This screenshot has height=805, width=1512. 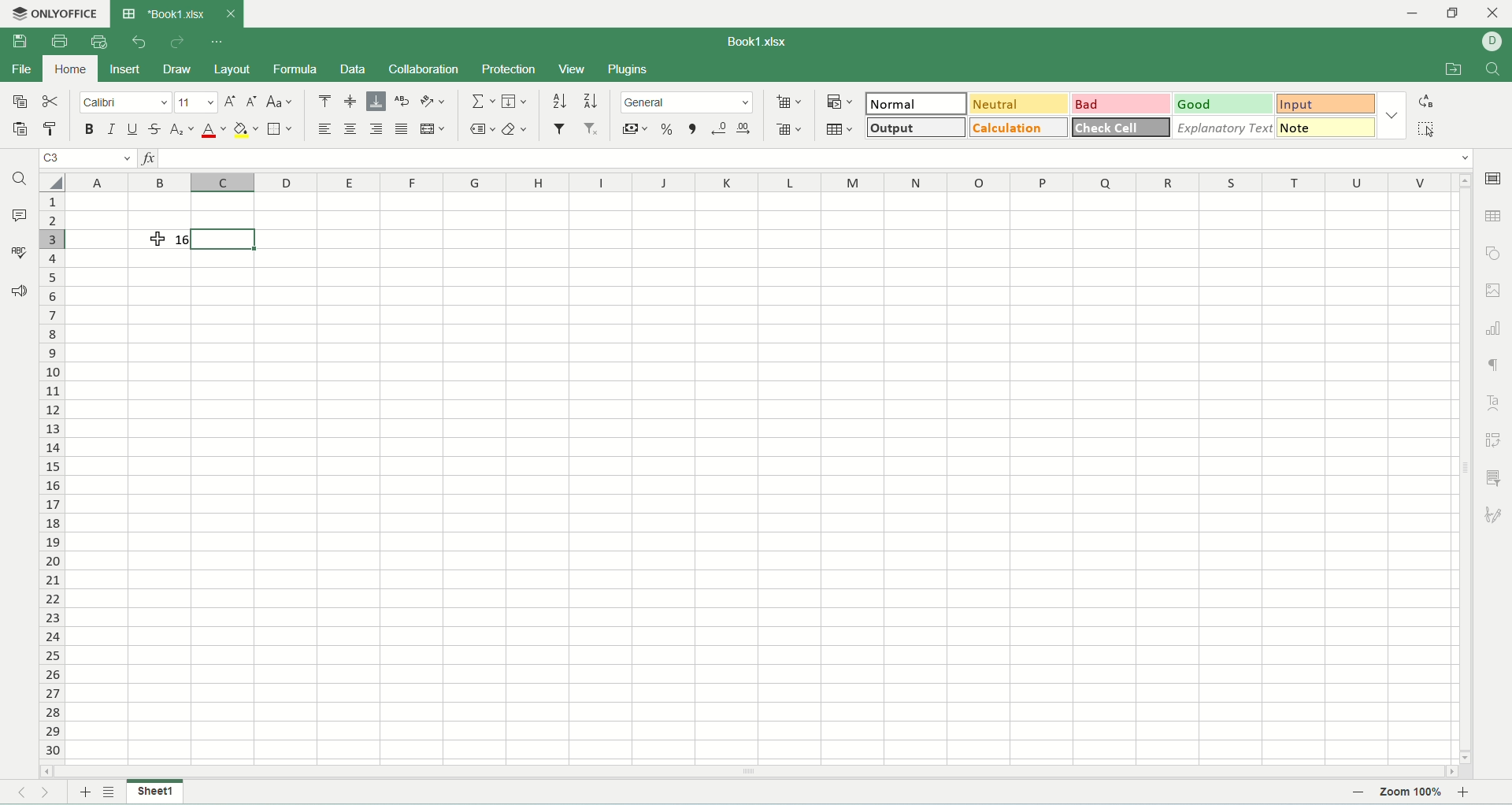 I want to click on wrap text, so click(x=405, y=101).